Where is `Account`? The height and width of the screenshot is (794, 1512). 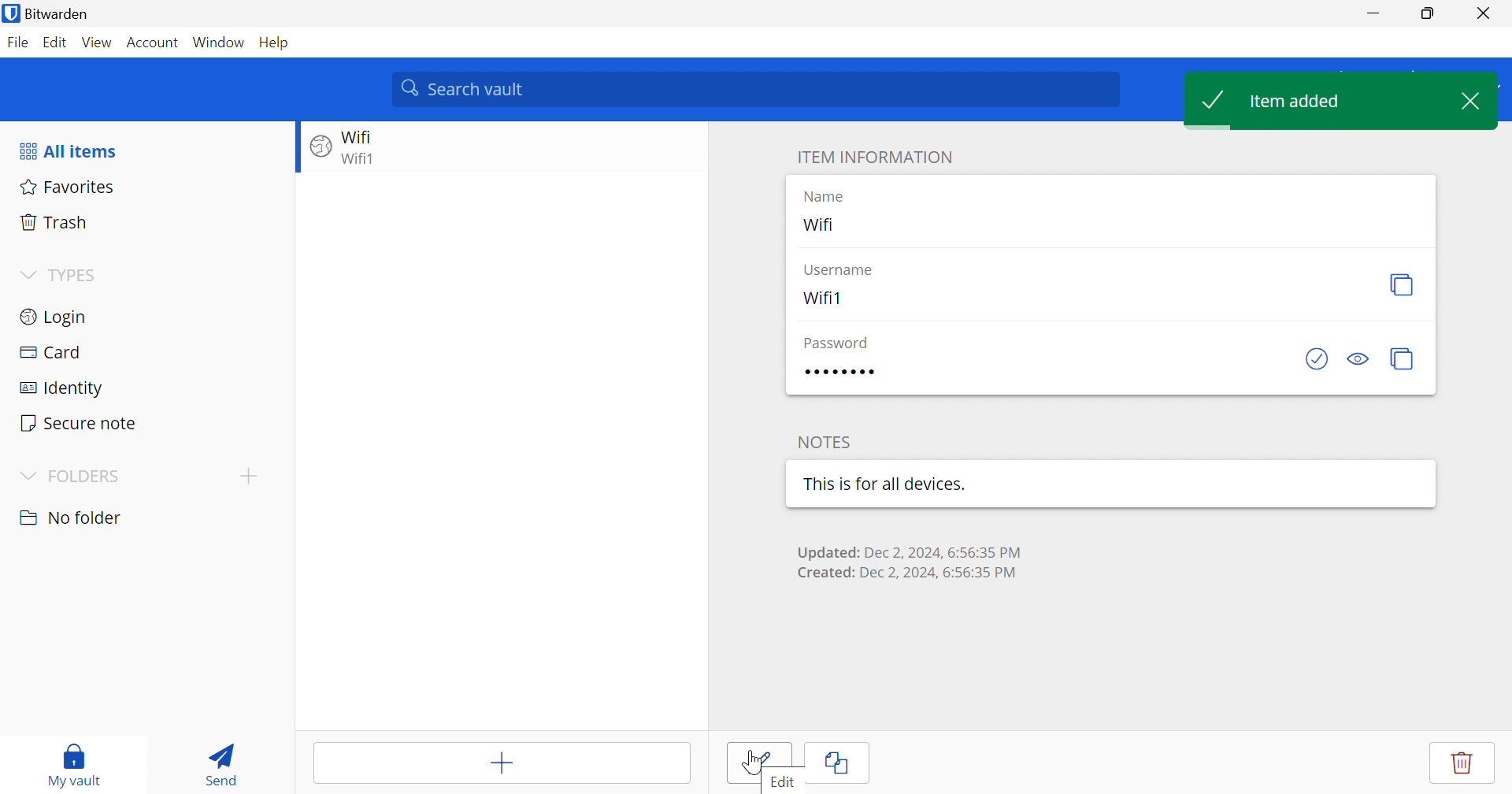 Account is located at coordinates (154, 46).